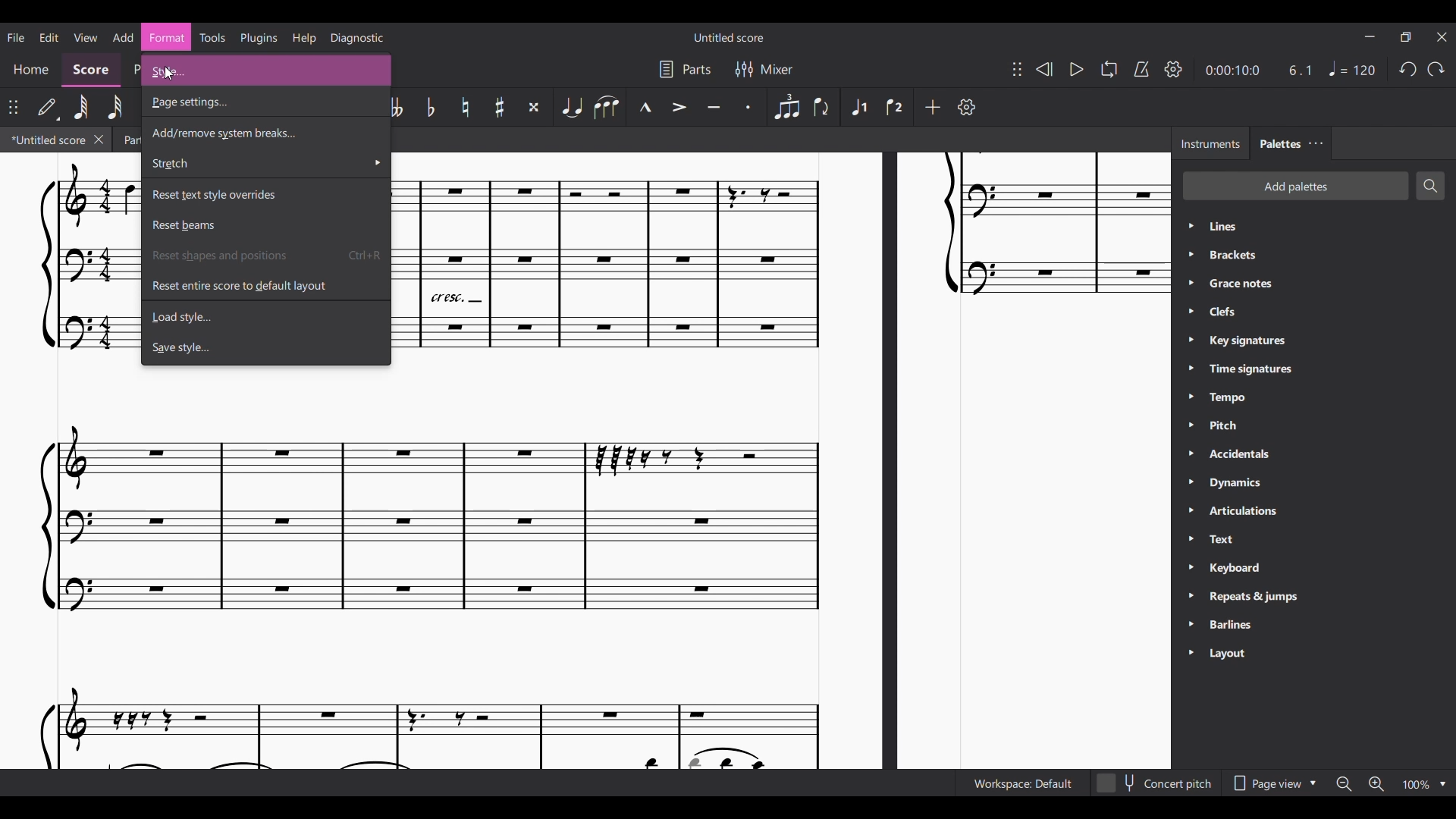 This screenshot has height=819, width=1456. What do you see at coordinates (1442, 784) in the screenshot?
I see `Zoom options` at bounding box center [1442, 784].